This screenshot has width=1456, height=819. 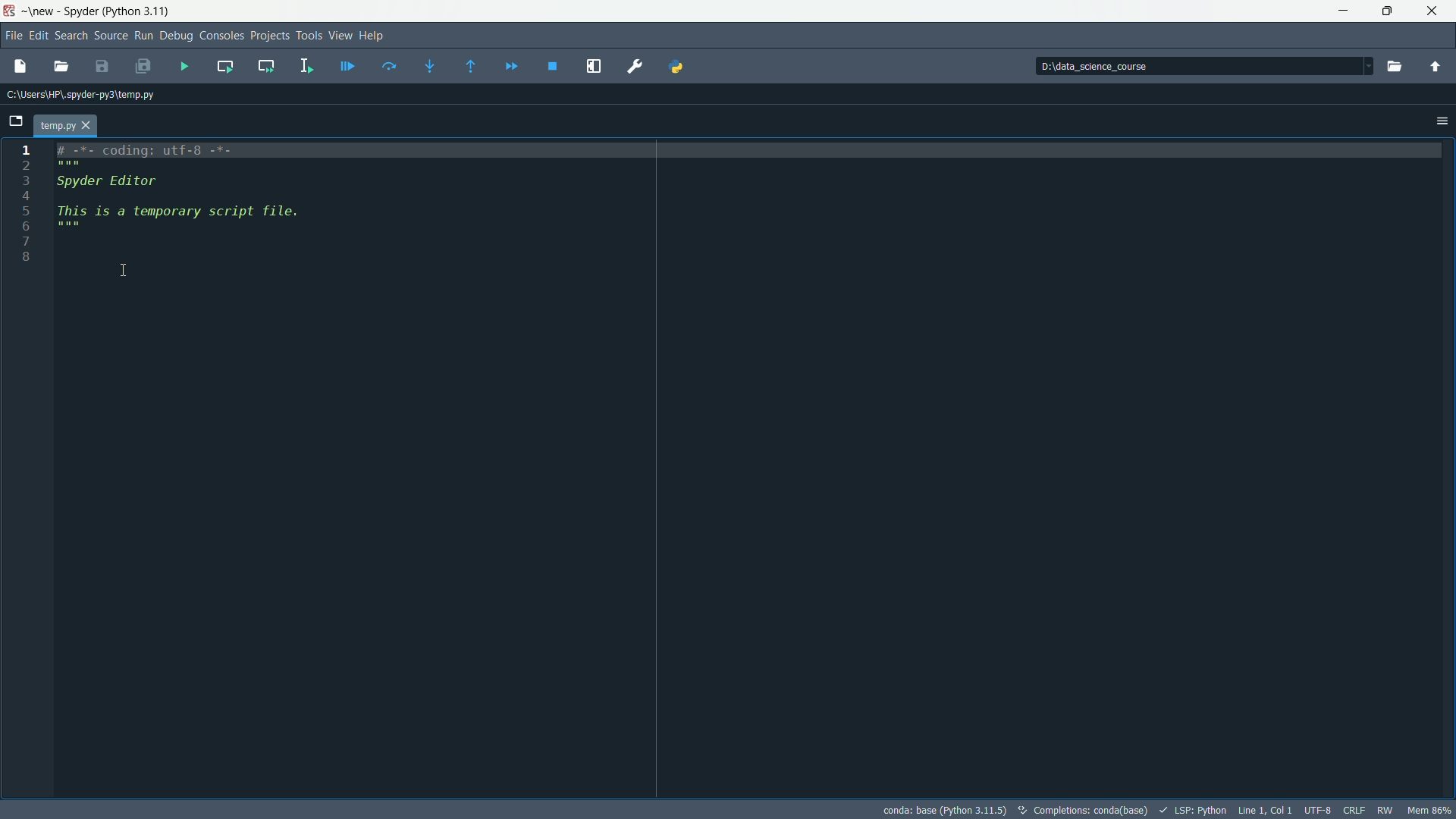 I want to click on 4, so click(x=71, y=195).